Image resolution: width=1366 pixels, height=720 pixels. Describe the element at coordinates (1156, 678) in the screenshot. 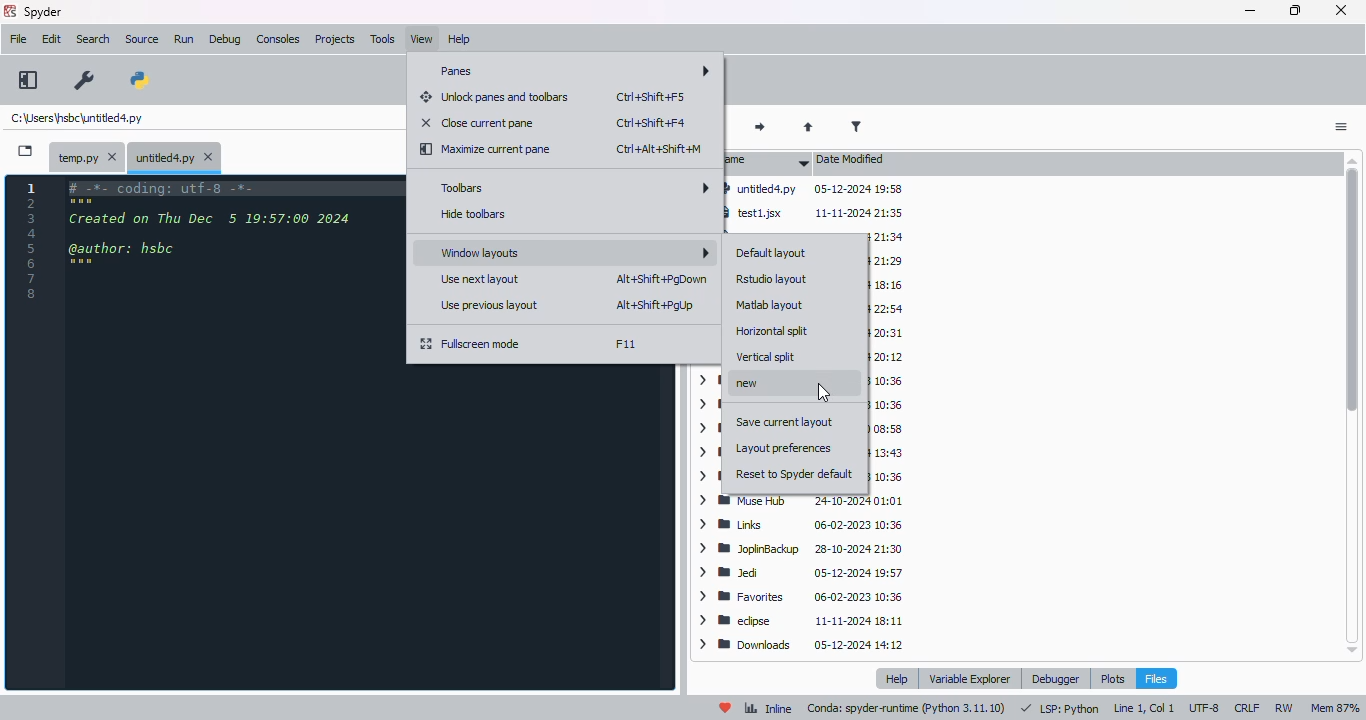

I see `files` at that location.